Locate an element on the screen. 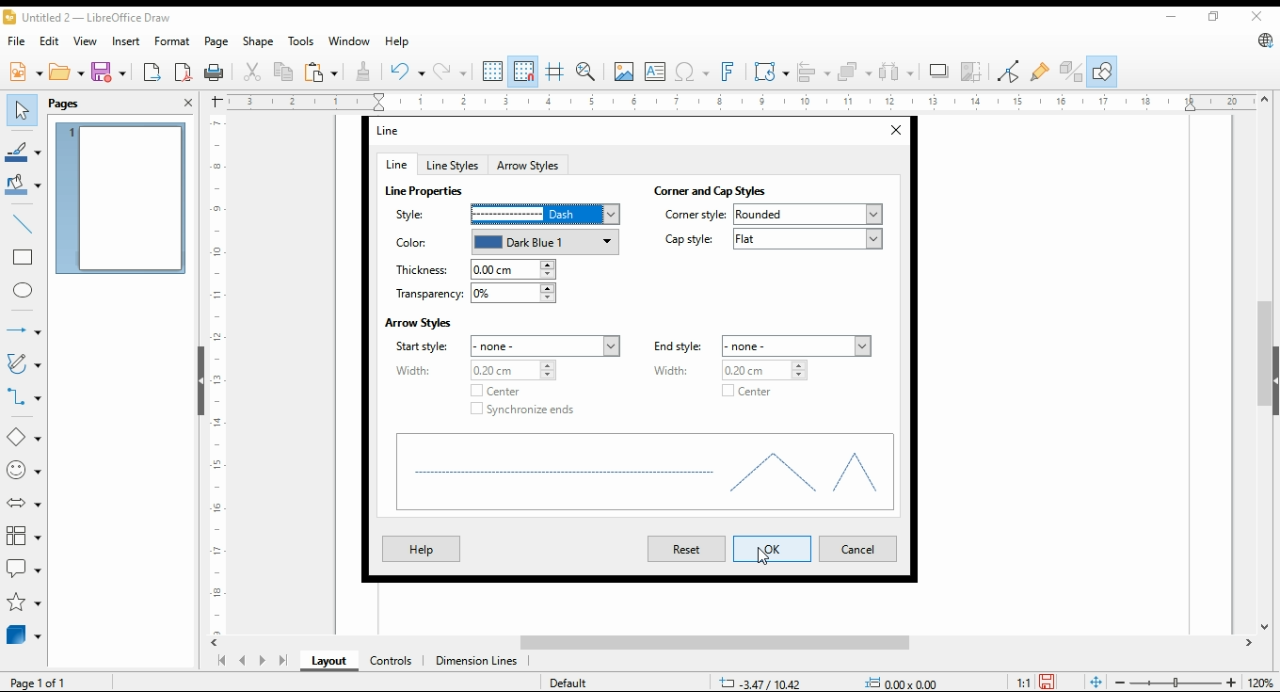  close pane is located at coordinates (189, 102).